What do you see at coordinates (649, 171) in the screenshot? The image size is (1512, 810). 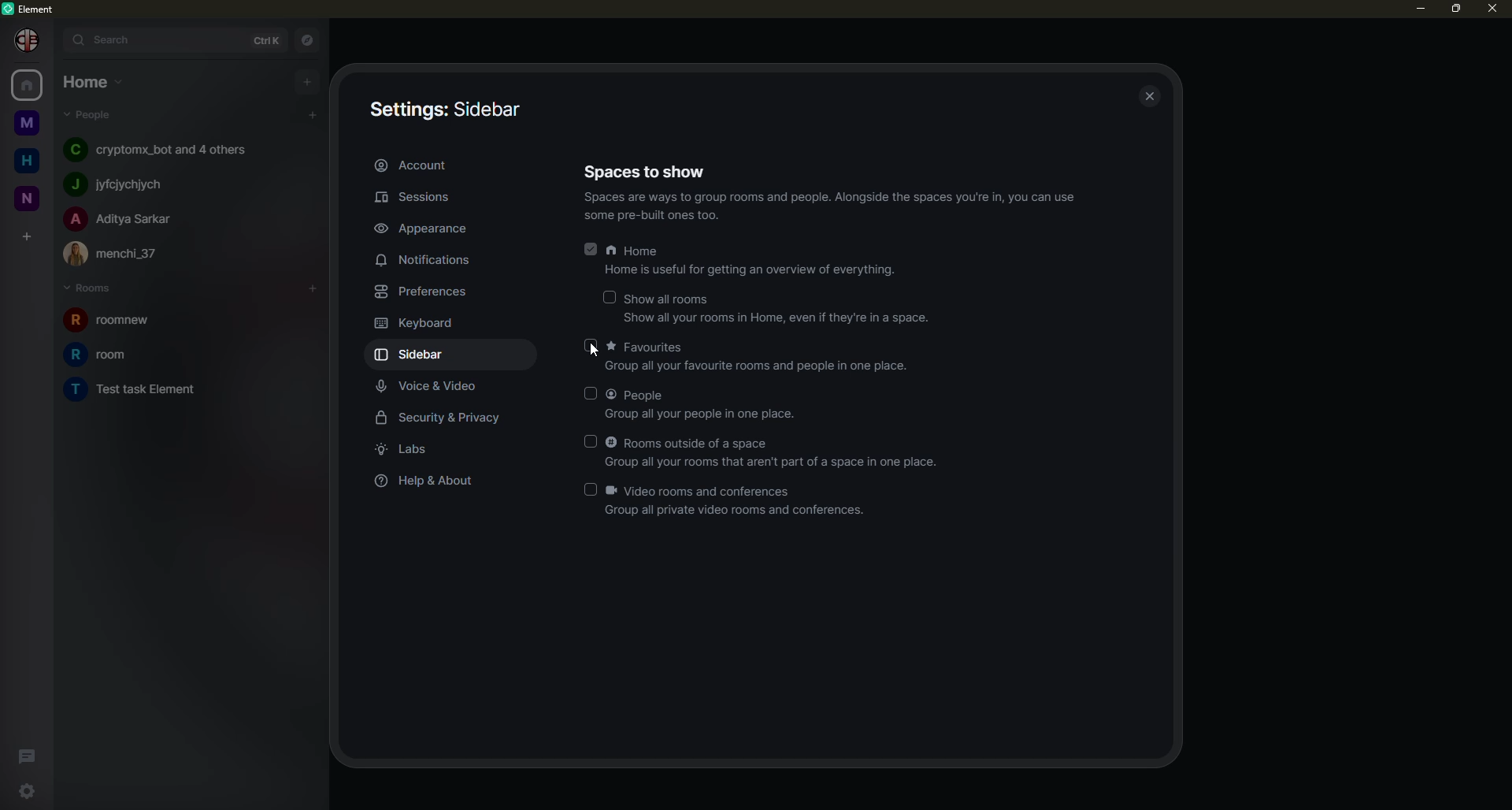 I see `spaces to show` at bounding box center [649, 171].